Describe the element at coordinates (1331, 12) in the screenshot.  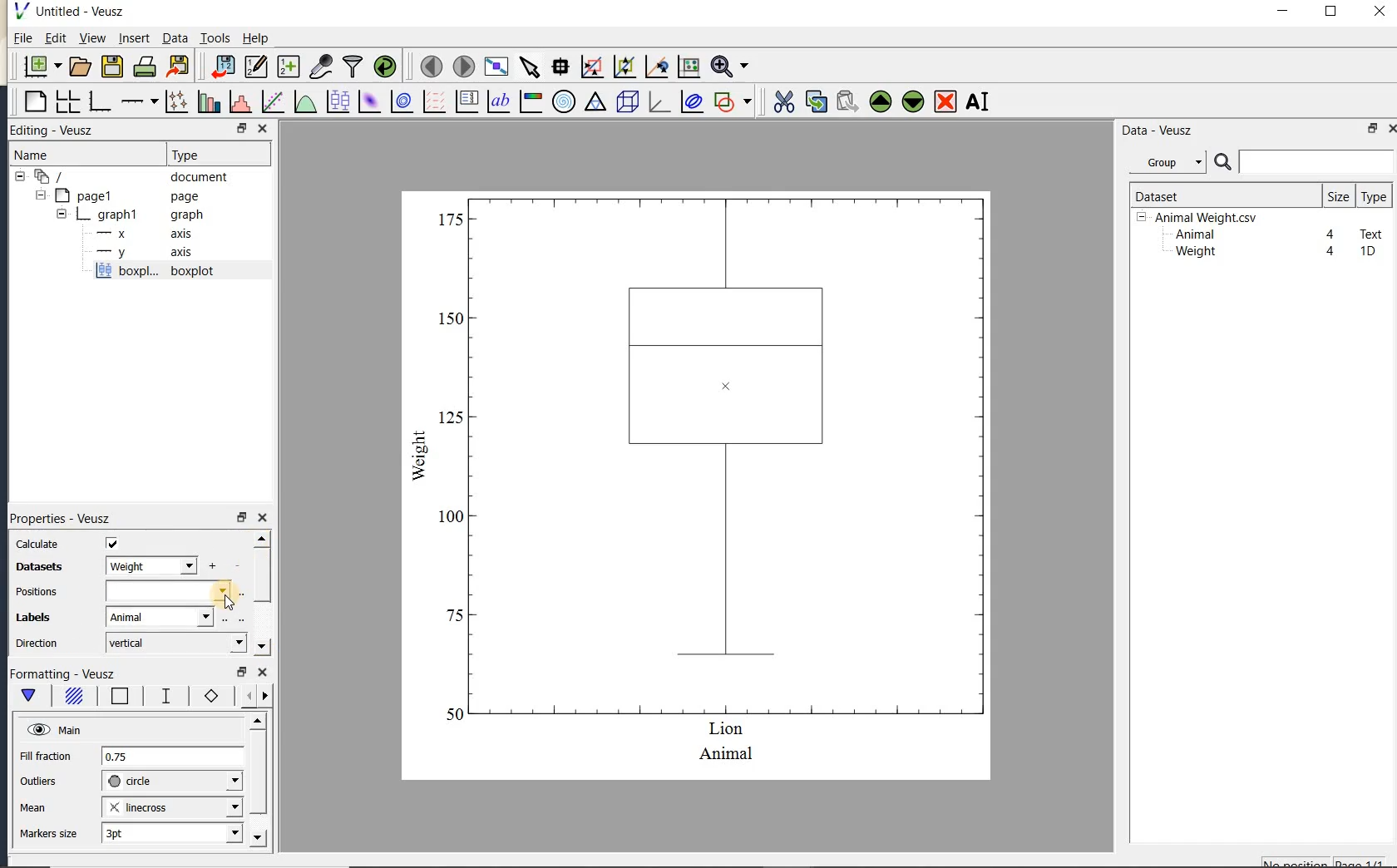
I see `maximize` at that location.